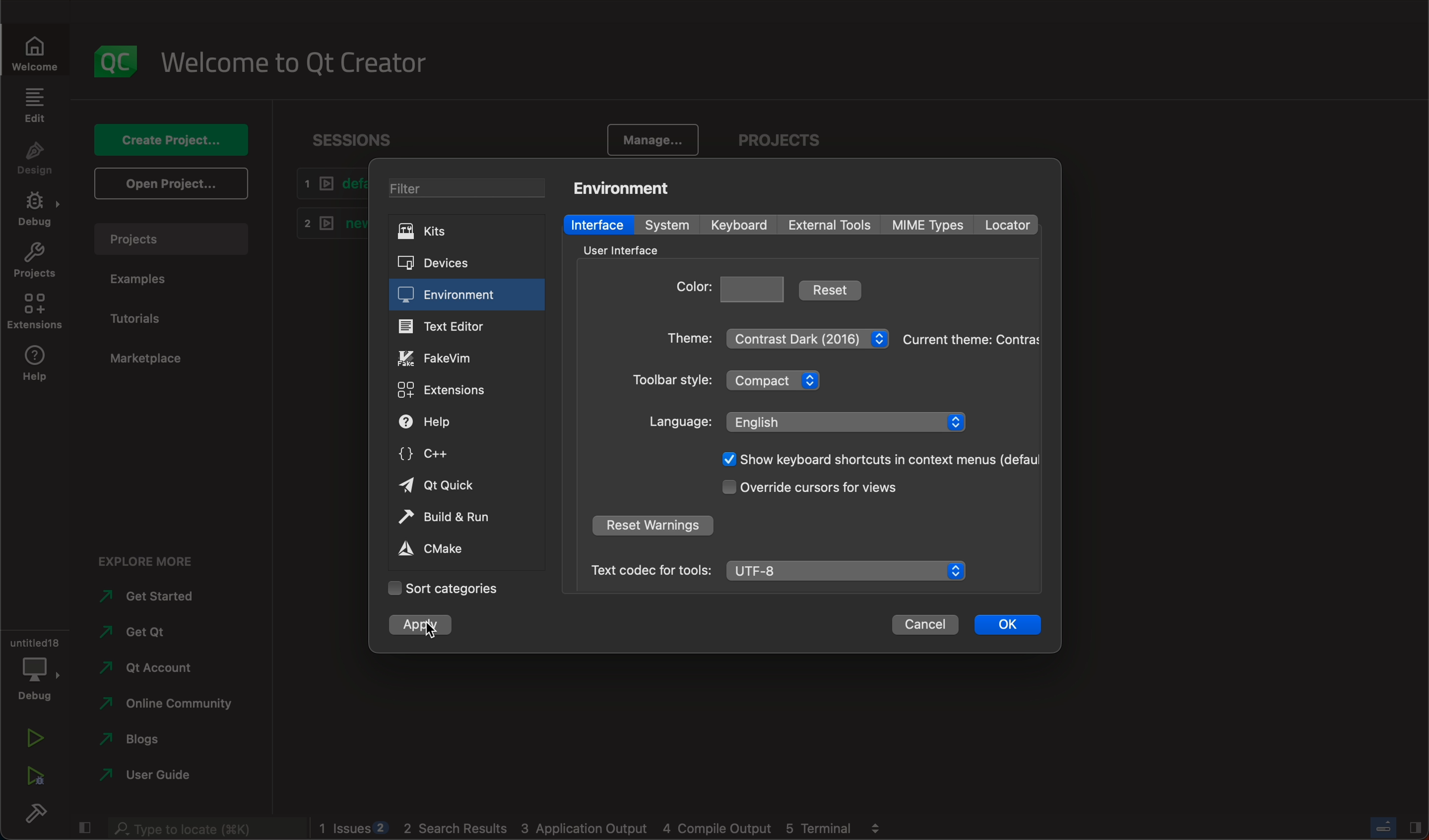  Describe the element at coordinates (143, 320) in the screenshot. I see `tutorials` at that location.